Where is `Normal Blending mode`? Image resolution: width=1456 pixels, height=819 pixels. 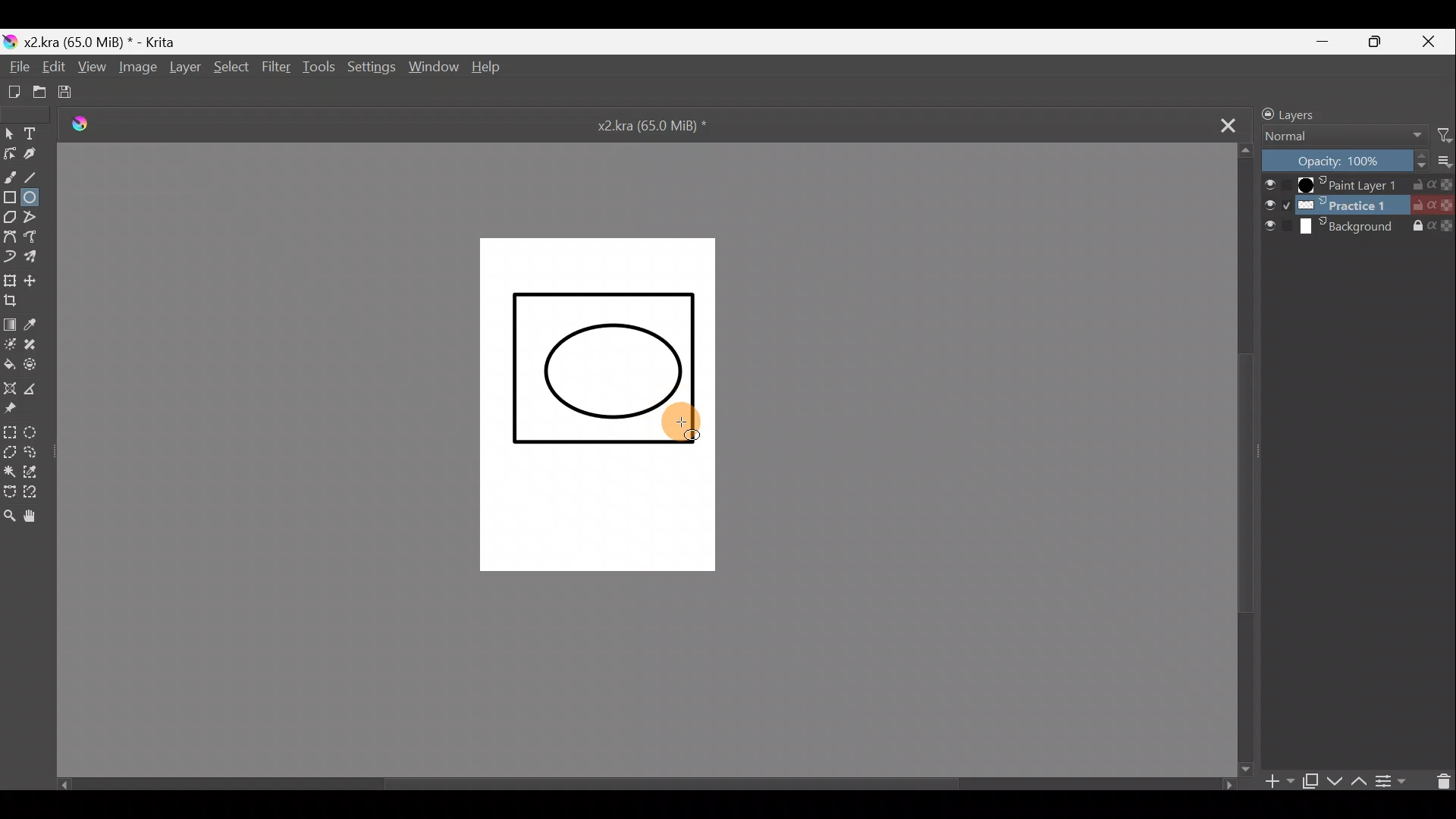
Normal Blending mode is located at coordinates (1343, 136).